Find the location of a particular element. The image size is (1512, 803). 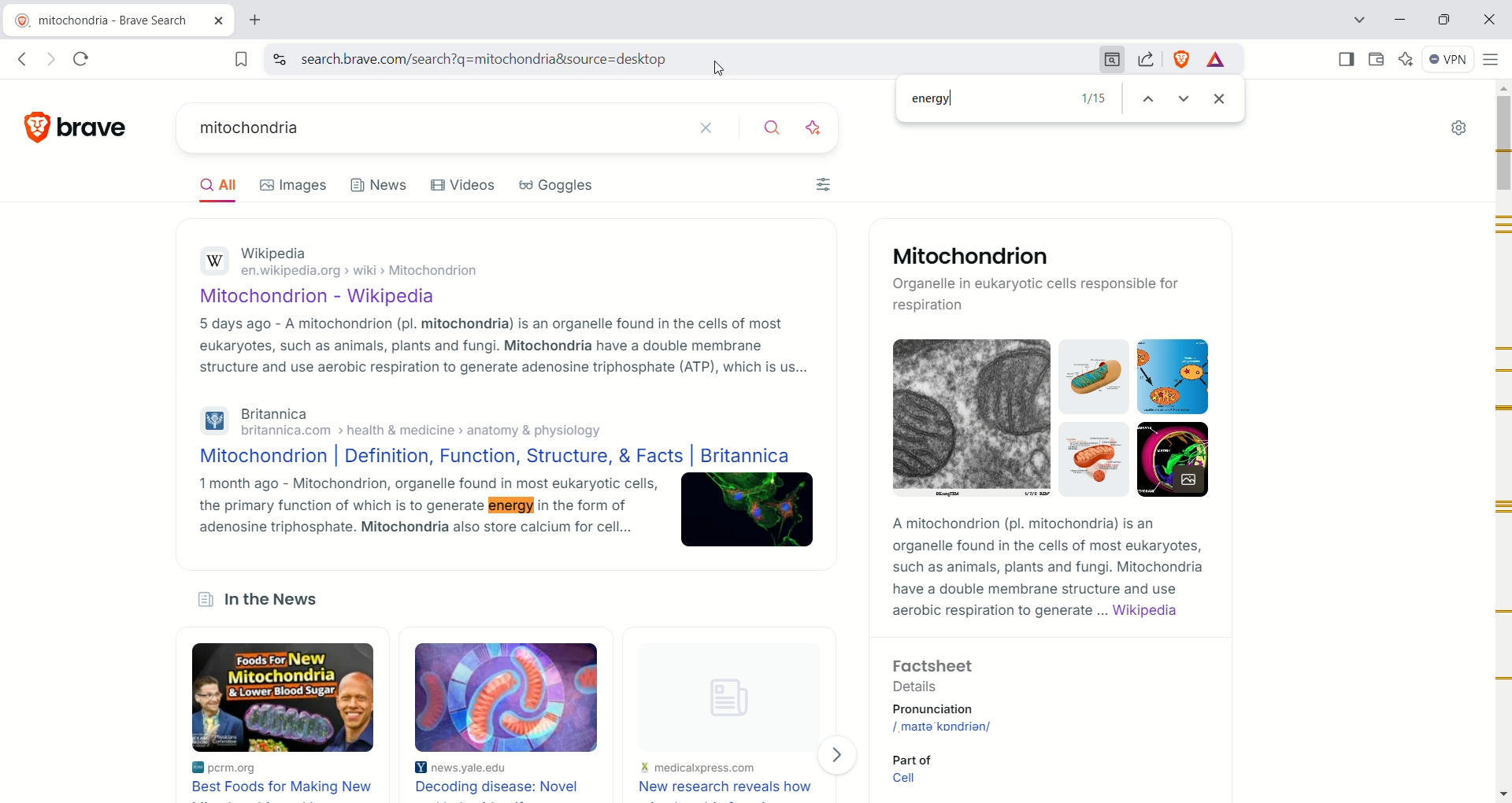

Images is located at coordinates (291, 183).